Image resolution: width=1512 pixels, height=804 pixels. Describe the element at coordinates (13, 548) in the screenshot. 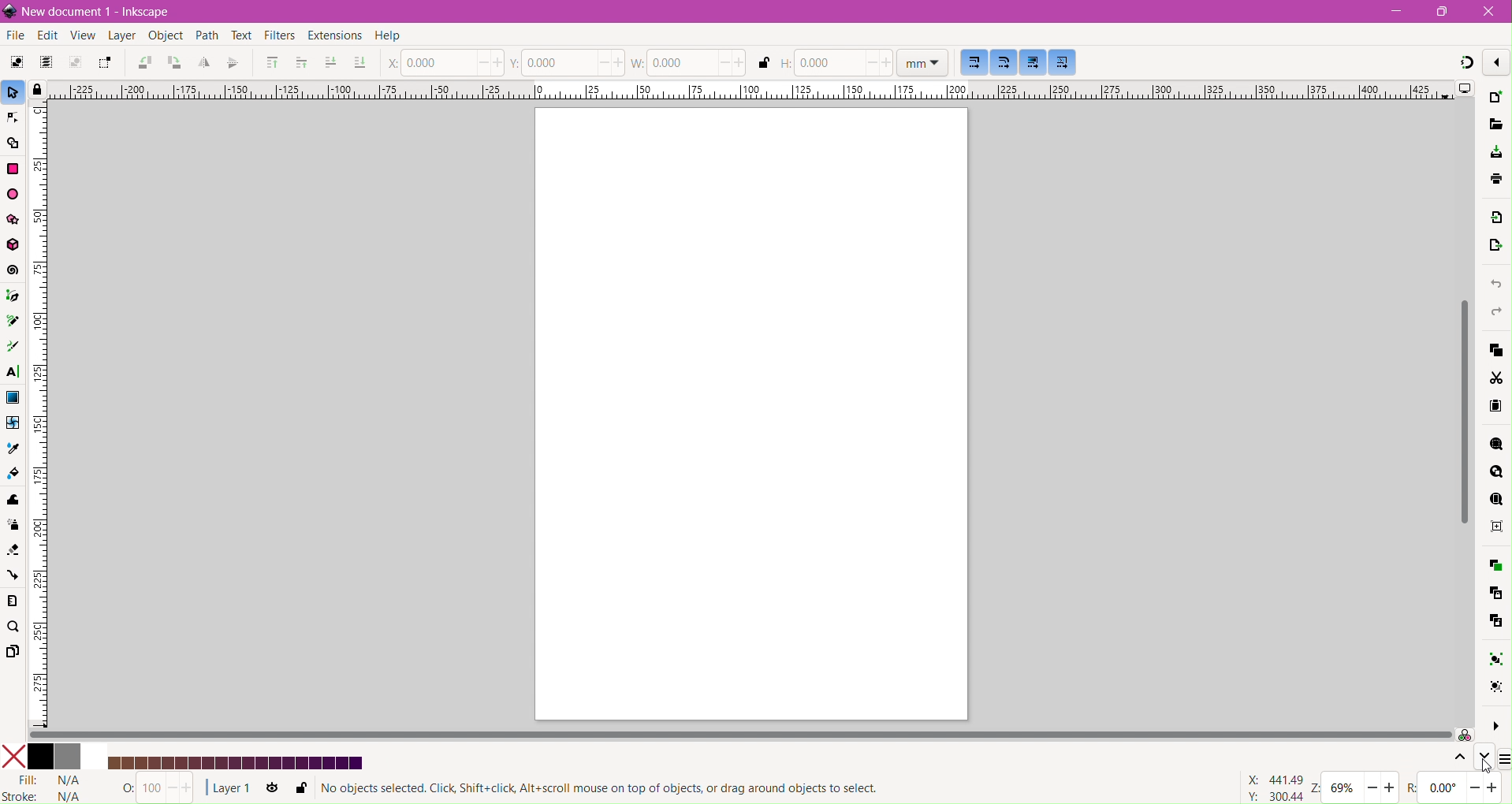

I see `Eraser Tool` at that location.